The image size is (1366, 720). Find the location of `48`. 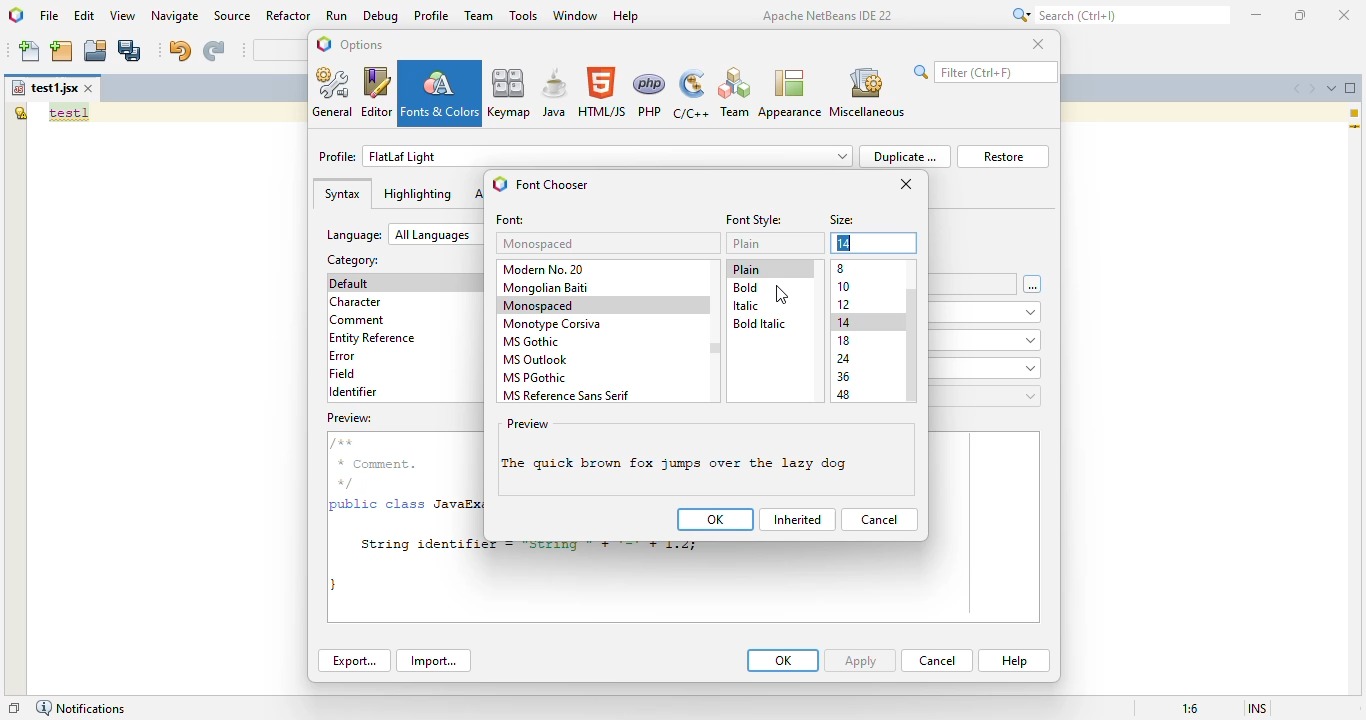

48 is located at coordinates (844, 394).